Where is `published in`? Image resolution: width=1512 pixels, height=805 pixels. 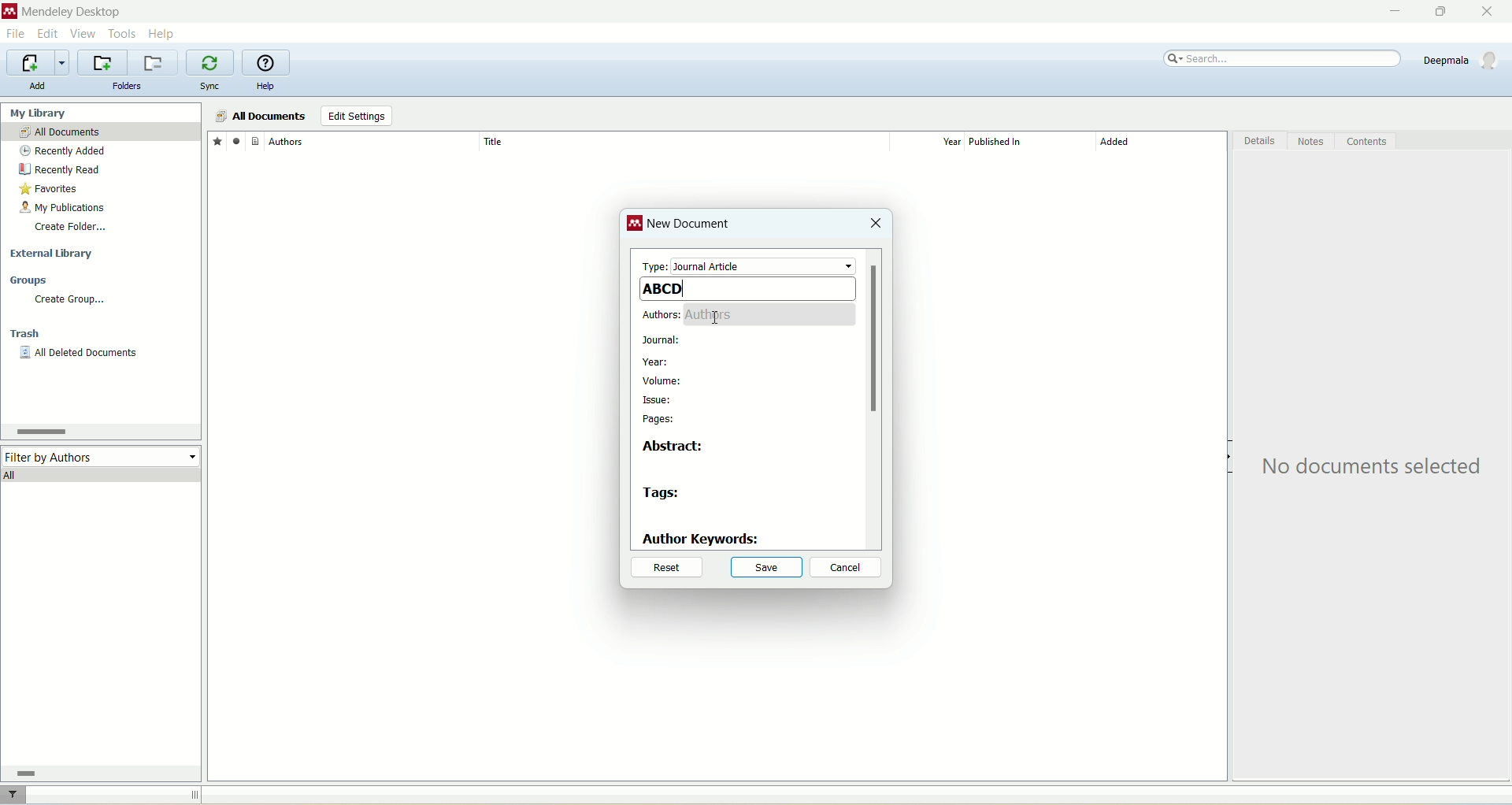
published in is located at coordinates (1024, 142).